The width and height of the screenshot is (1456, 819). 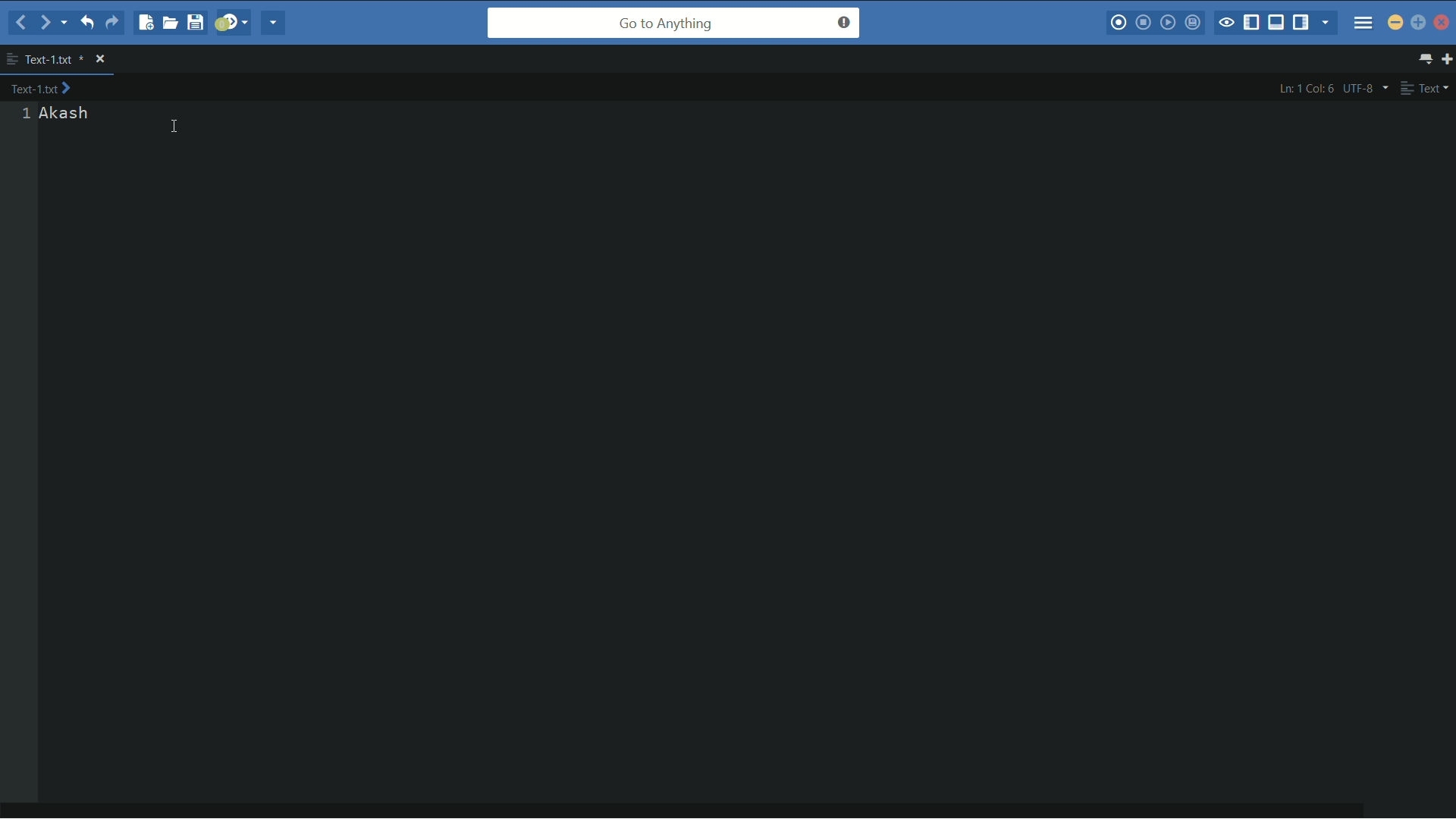 I want to click on forward, so click(x=52, y=24).